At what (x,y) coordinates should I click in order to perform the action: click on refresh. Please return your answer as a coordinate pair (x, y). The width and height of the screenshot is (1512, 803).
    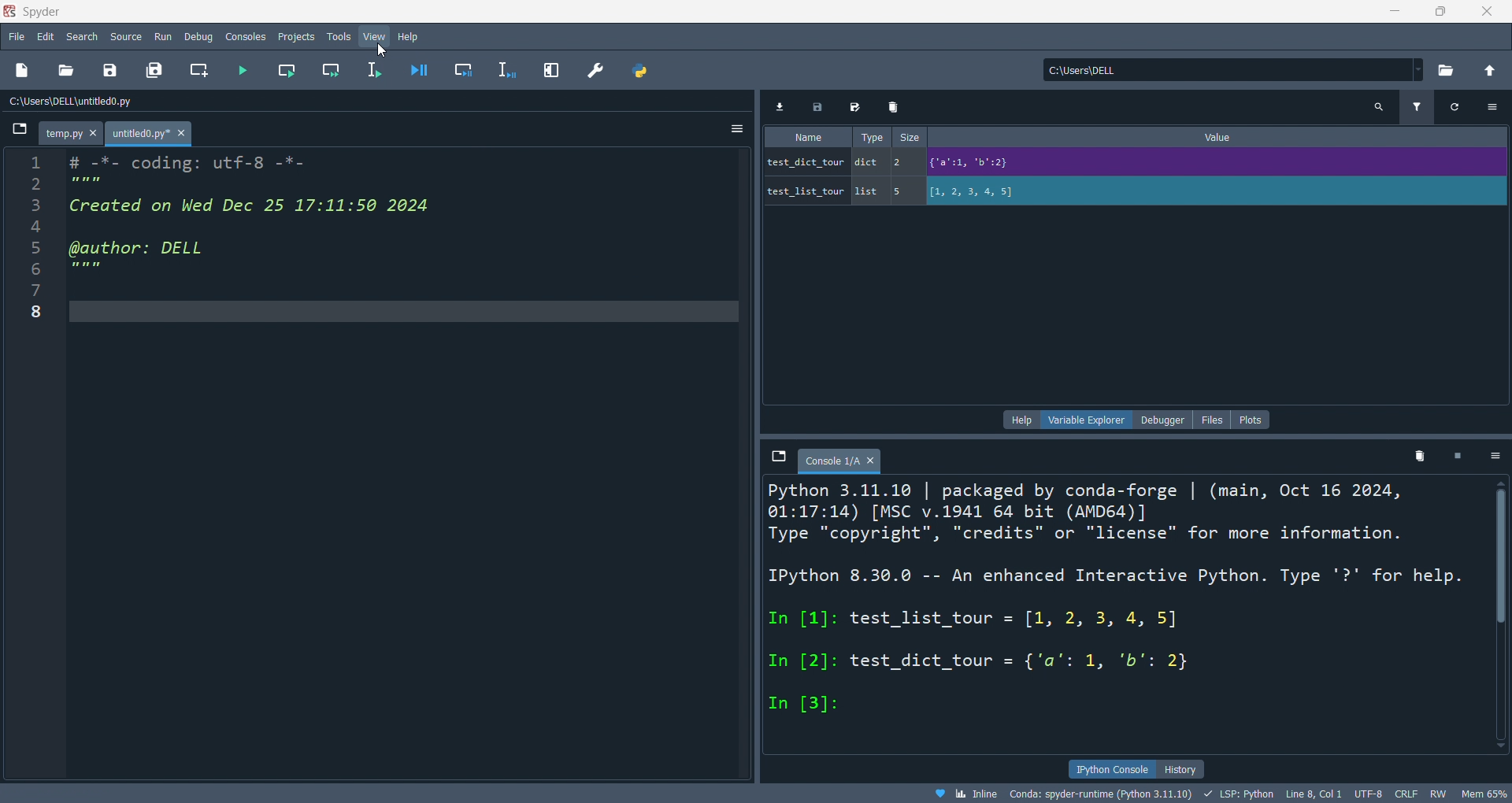
    Looking at the image, I should click on (1454, 108).